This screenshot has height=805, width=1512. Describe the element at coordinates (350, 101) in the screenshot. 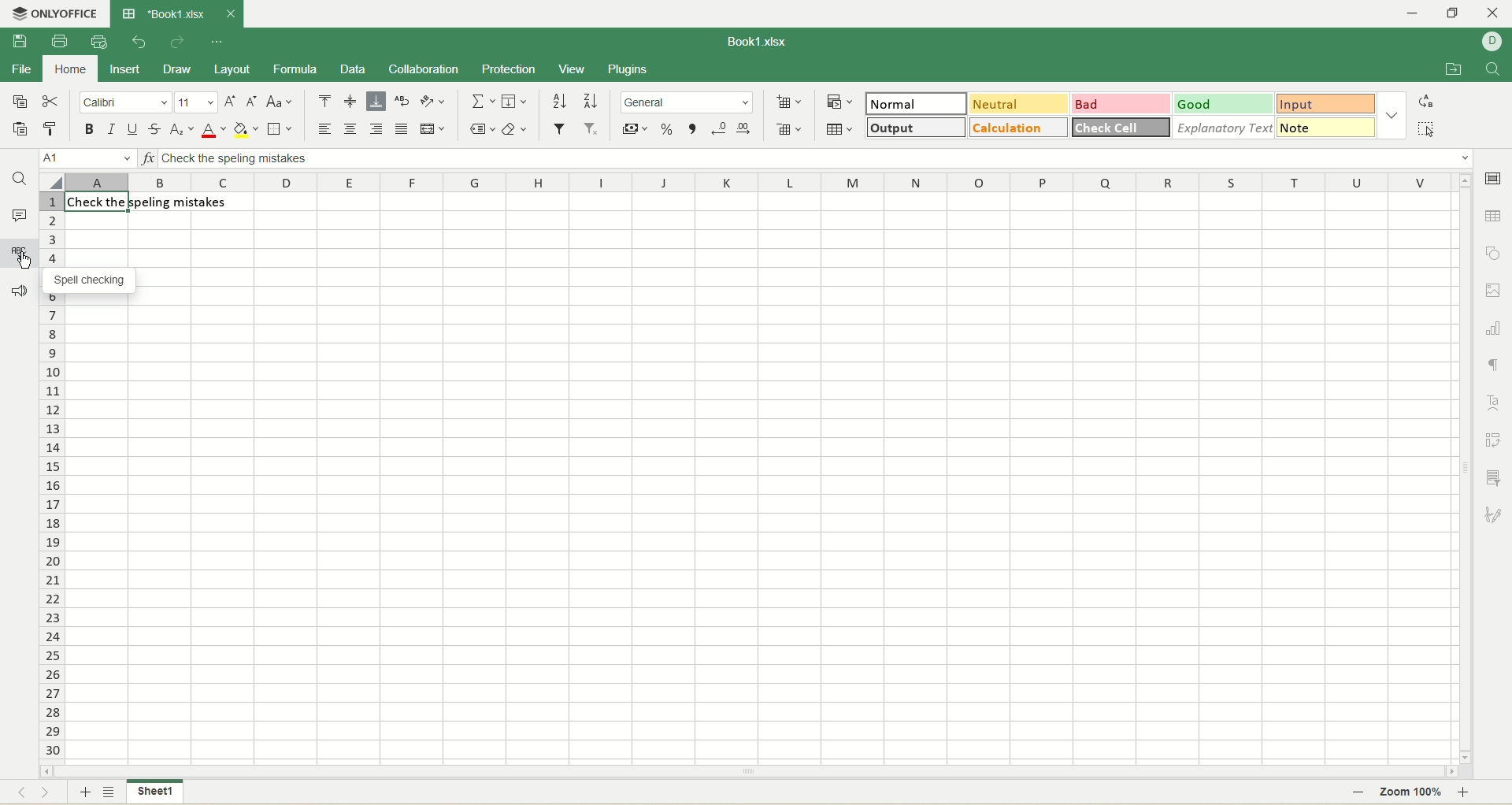

I see `align middle` at that location.